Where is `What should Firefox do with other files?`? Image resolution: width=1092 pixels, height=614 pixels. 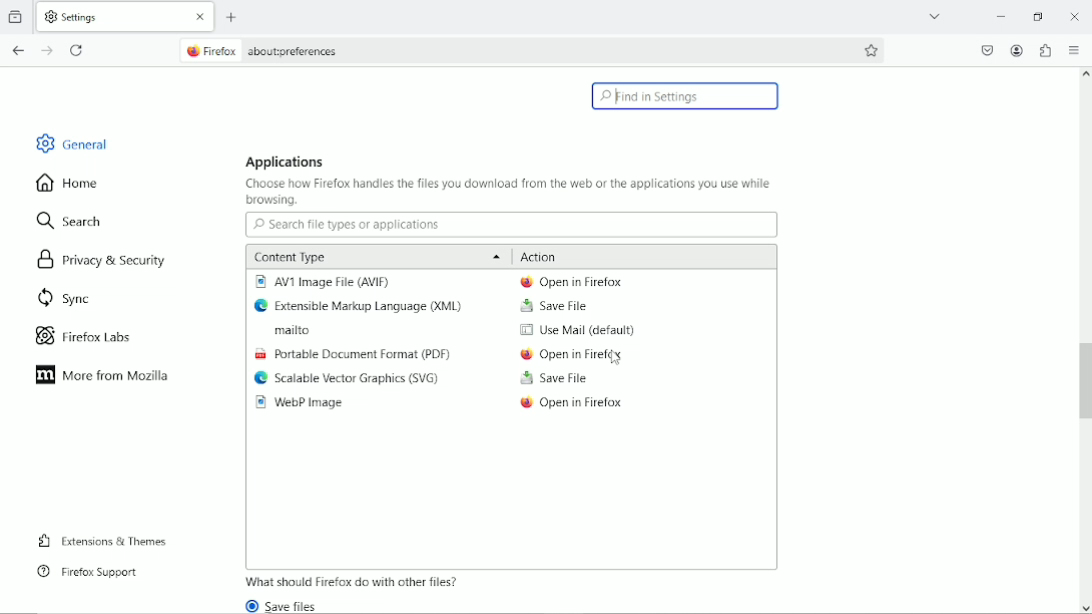 What should Firefox do with other files? is located at coordinates (353, 581).